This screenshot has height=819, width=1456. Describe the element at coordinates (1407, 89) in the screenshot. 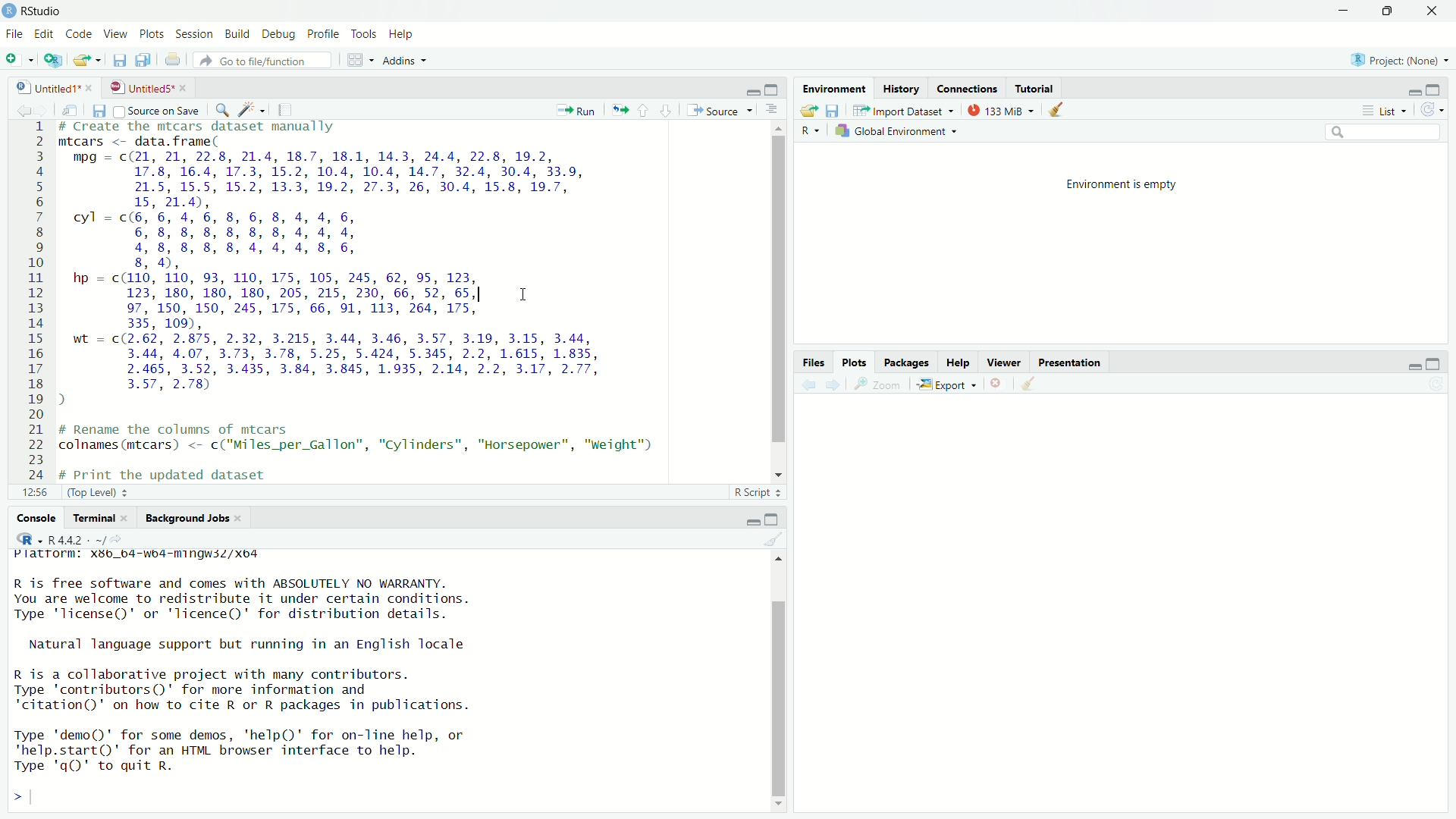

I see `minimise` at that location.